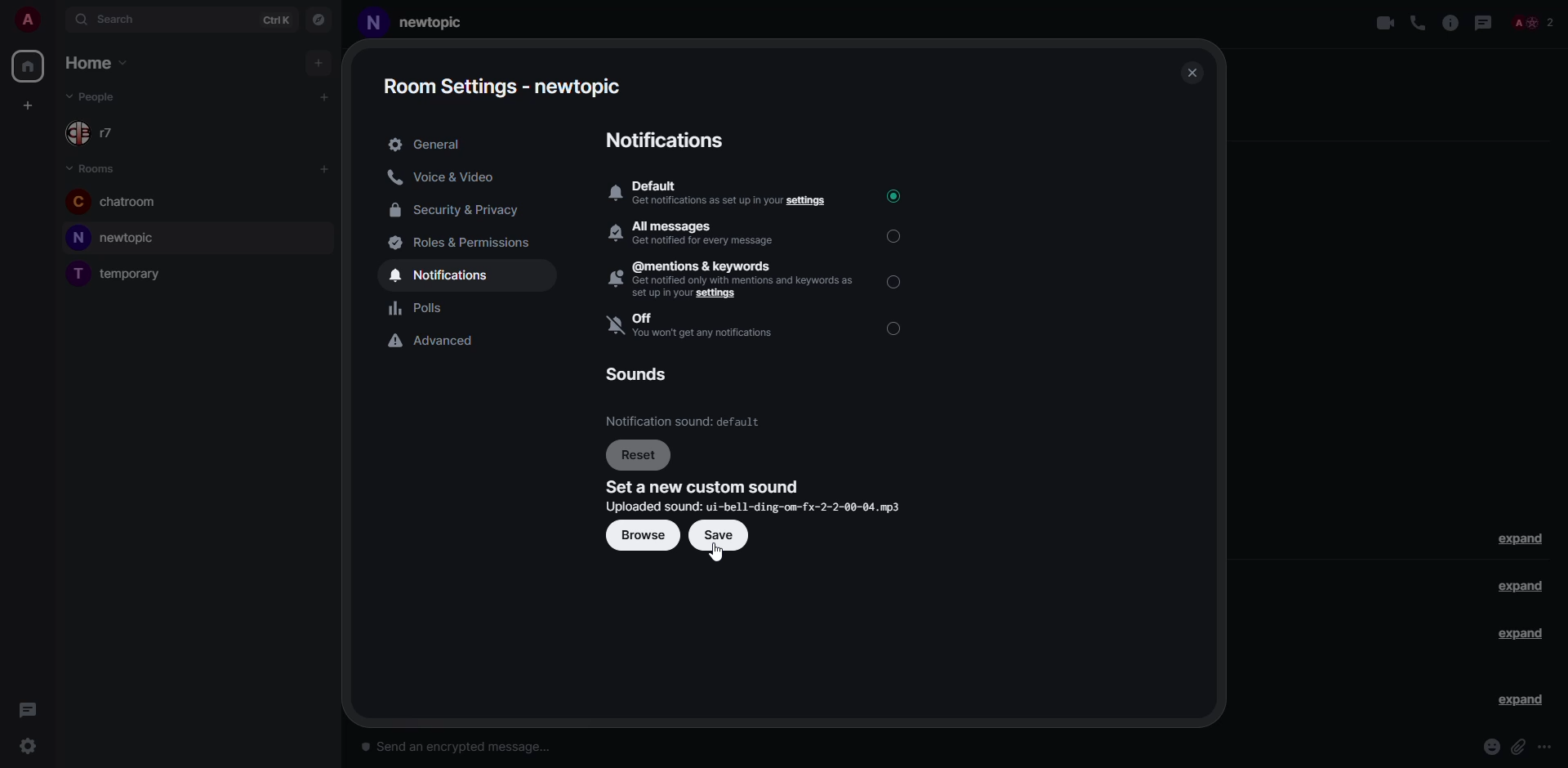 The height and width of the screenshot is (768, 1568). Describe the element at coordinates (698, 326) in the screenshot. I see `Off you won't get any notification` at that location.